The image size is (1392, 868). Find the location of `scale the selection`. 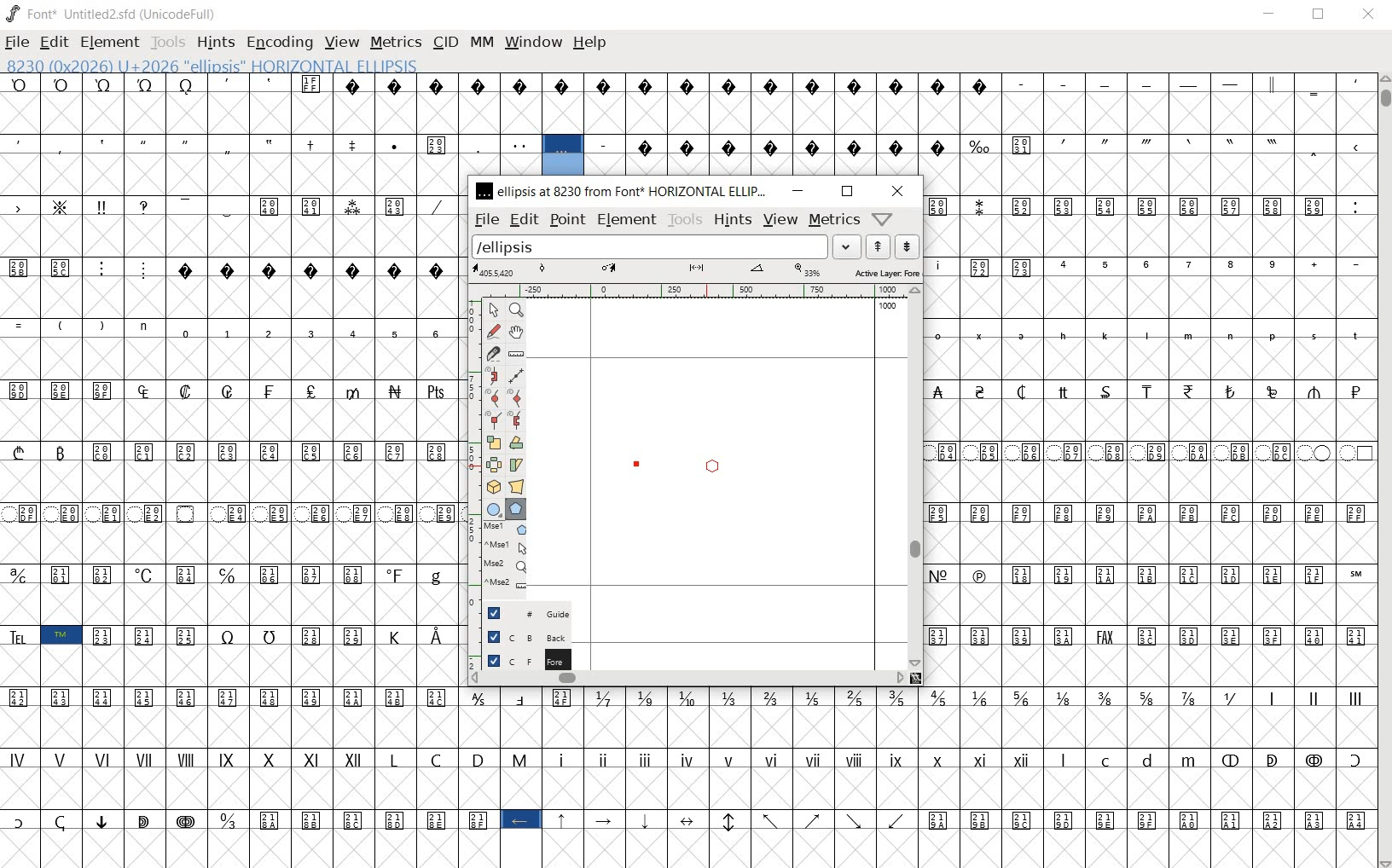

scale the selection is located at coordinates (492, 441).